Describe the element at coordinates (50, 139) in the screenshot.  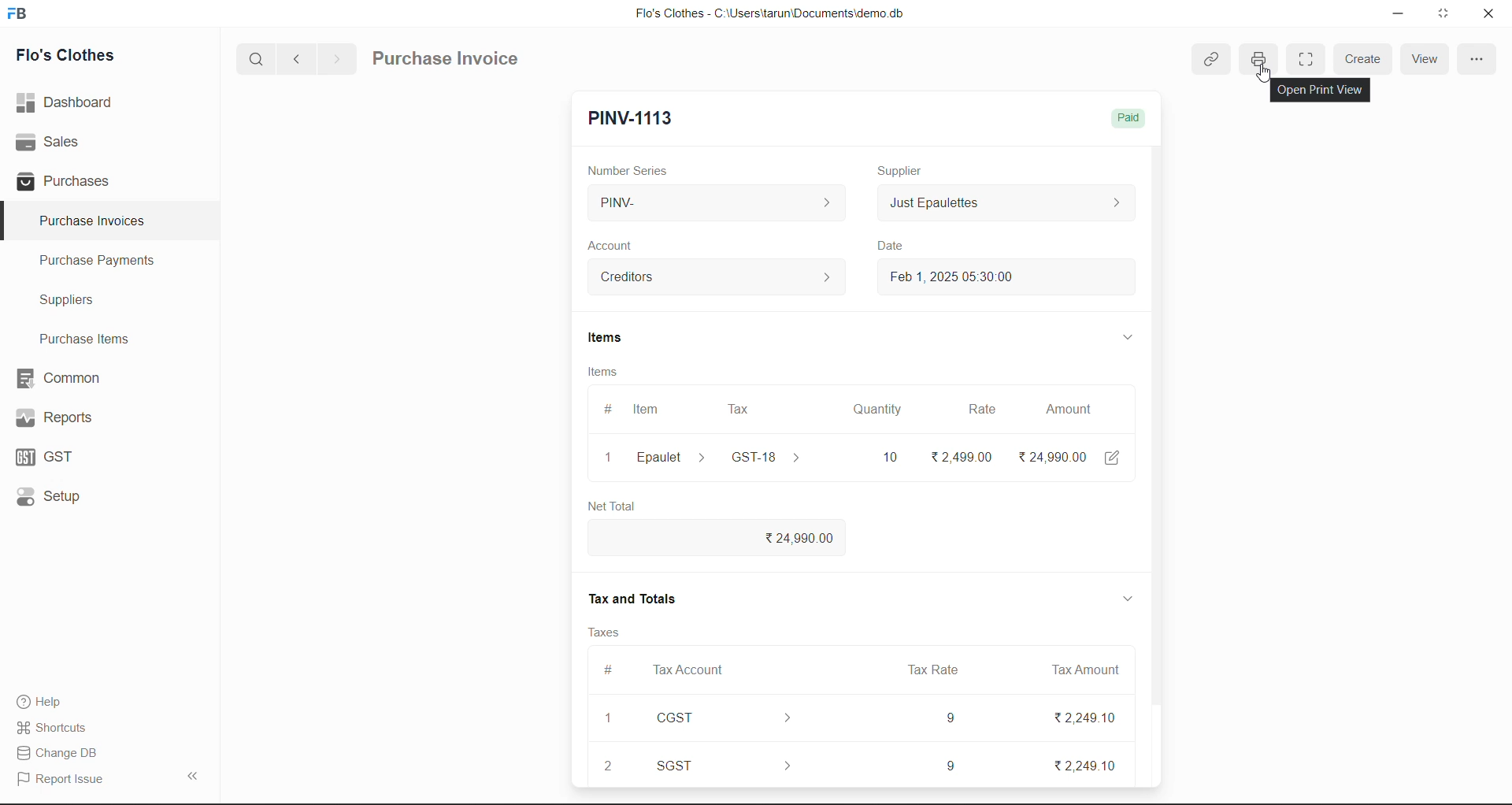
I see ` Sales` at that location.